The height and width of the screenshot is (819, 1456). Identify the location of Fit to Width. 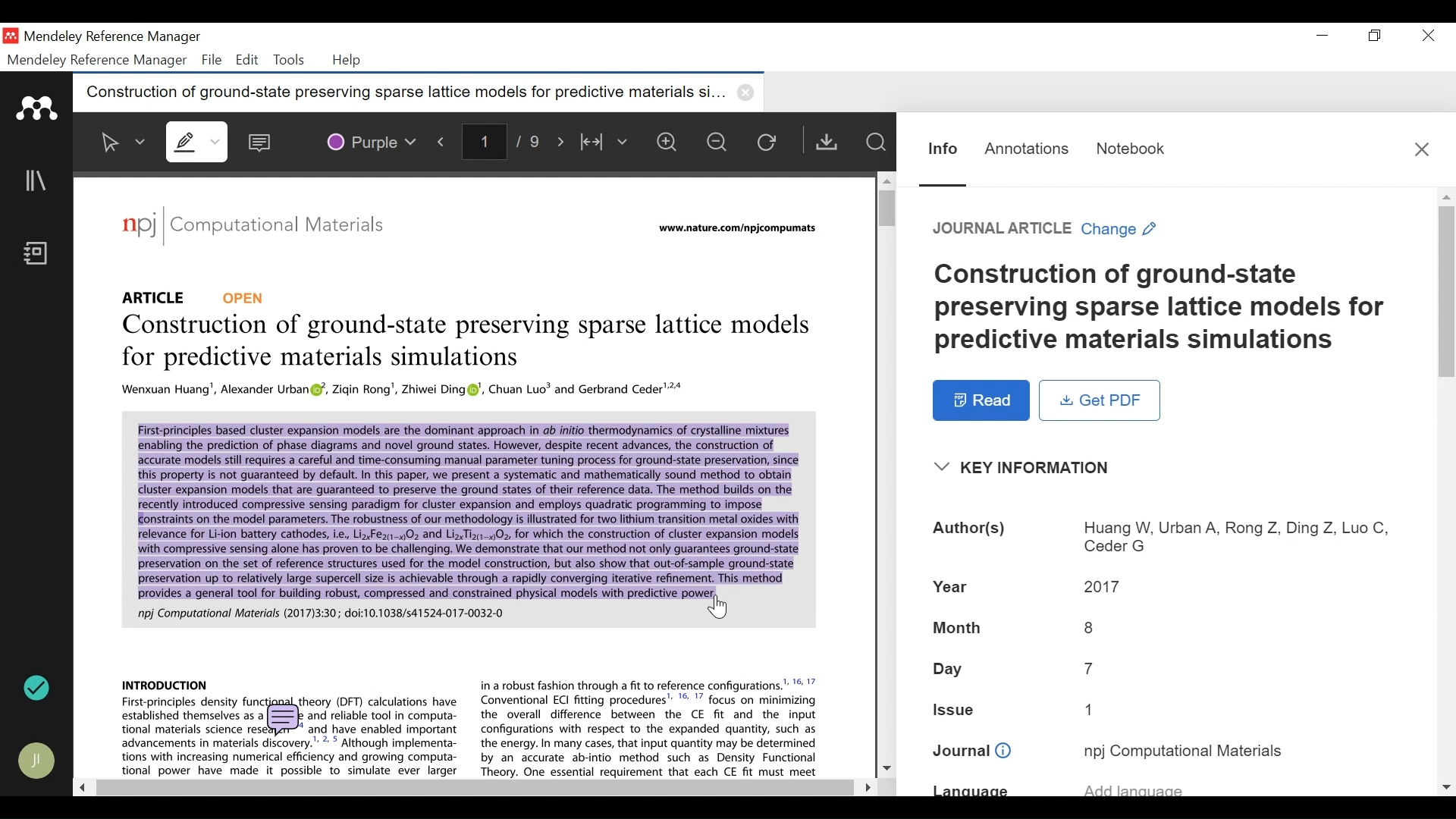
(606, 141).